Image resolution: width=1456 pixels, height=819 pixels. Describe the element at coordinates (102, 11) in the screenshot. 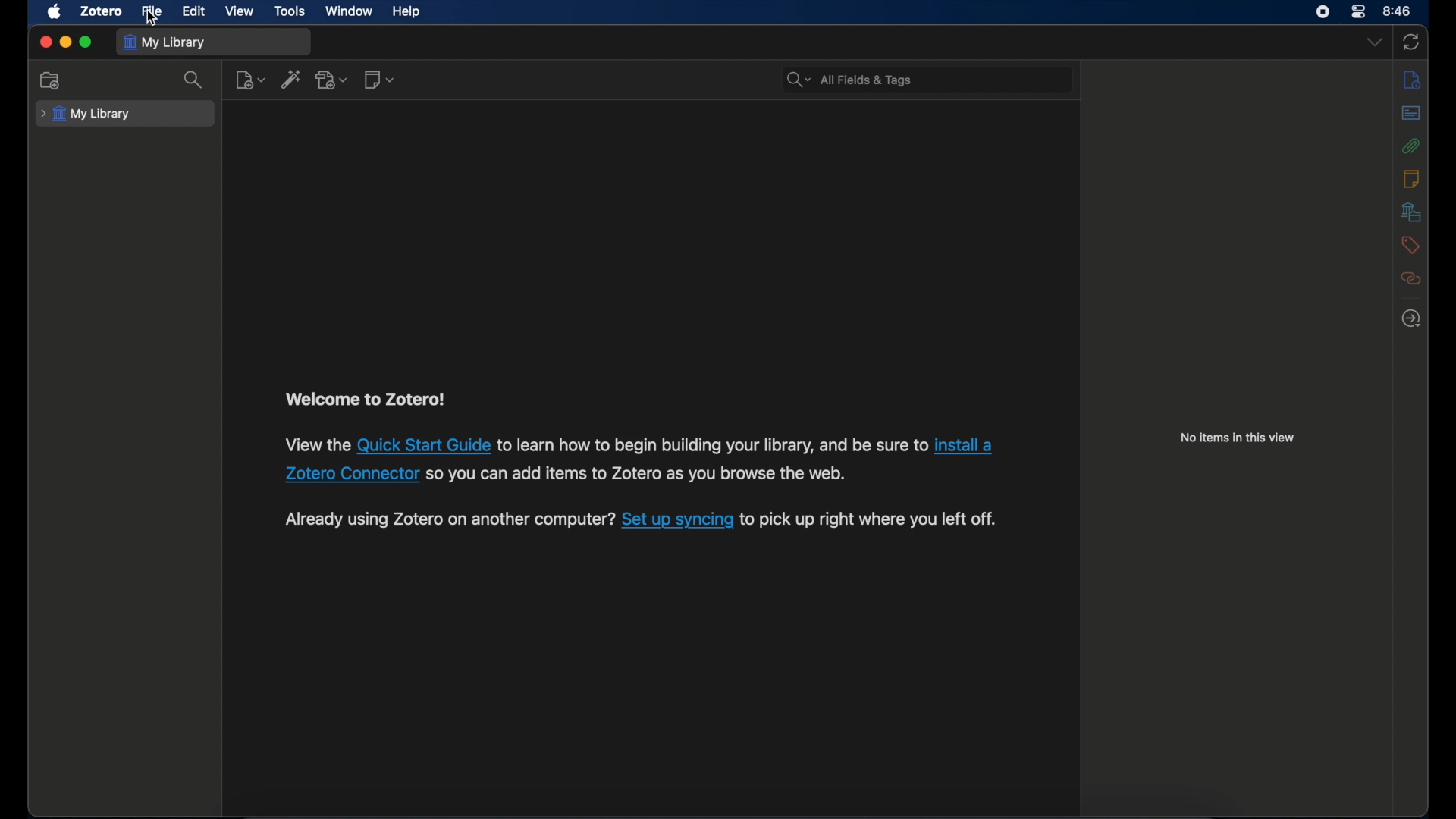

I see `zotero` at that location.